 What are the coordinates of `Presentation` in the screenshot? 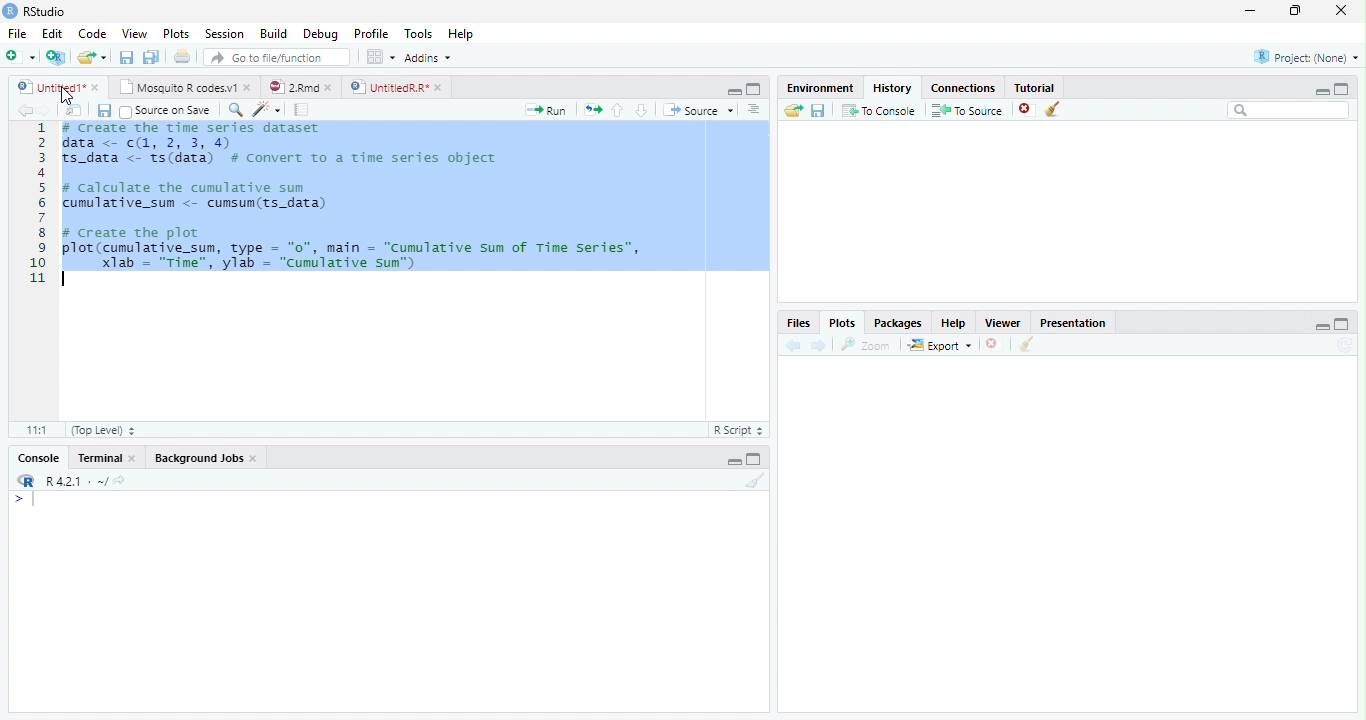 It's located at (1074, 324).